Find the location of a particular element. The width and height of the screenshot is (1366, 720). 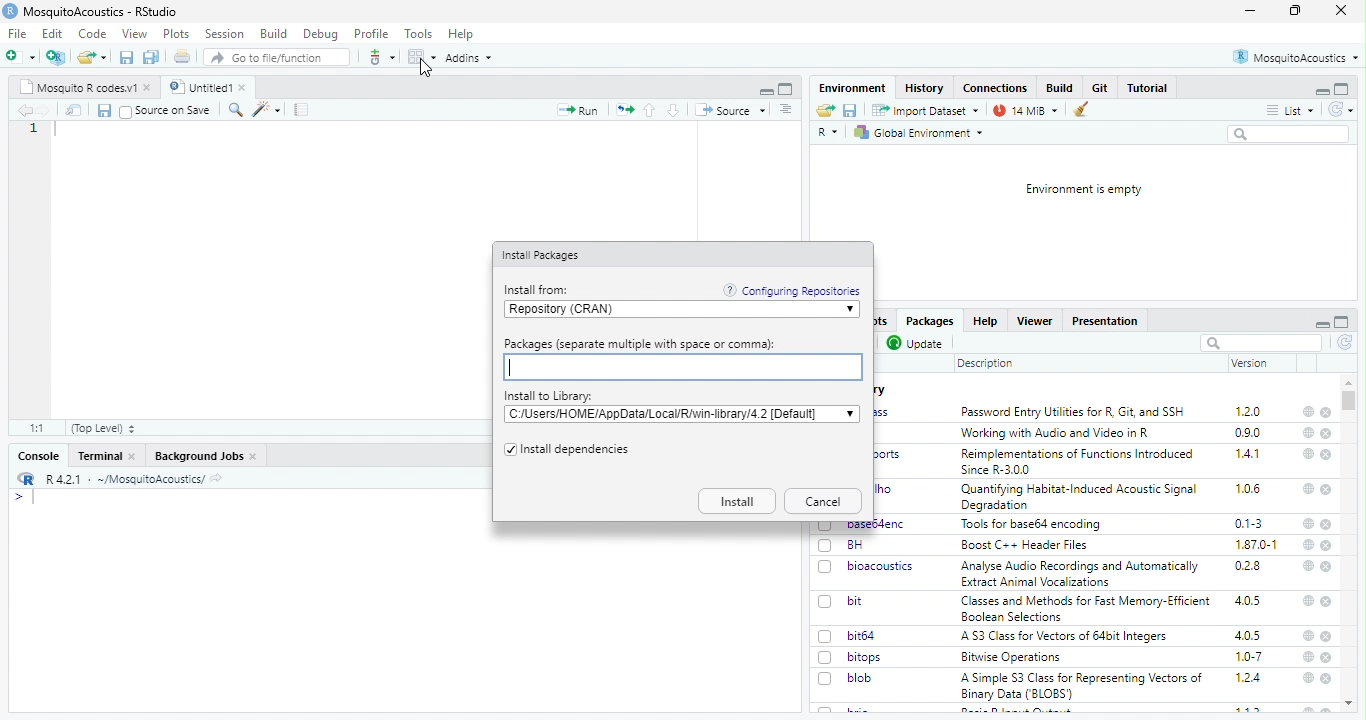

Source on save is located at coordinates (175, 111).